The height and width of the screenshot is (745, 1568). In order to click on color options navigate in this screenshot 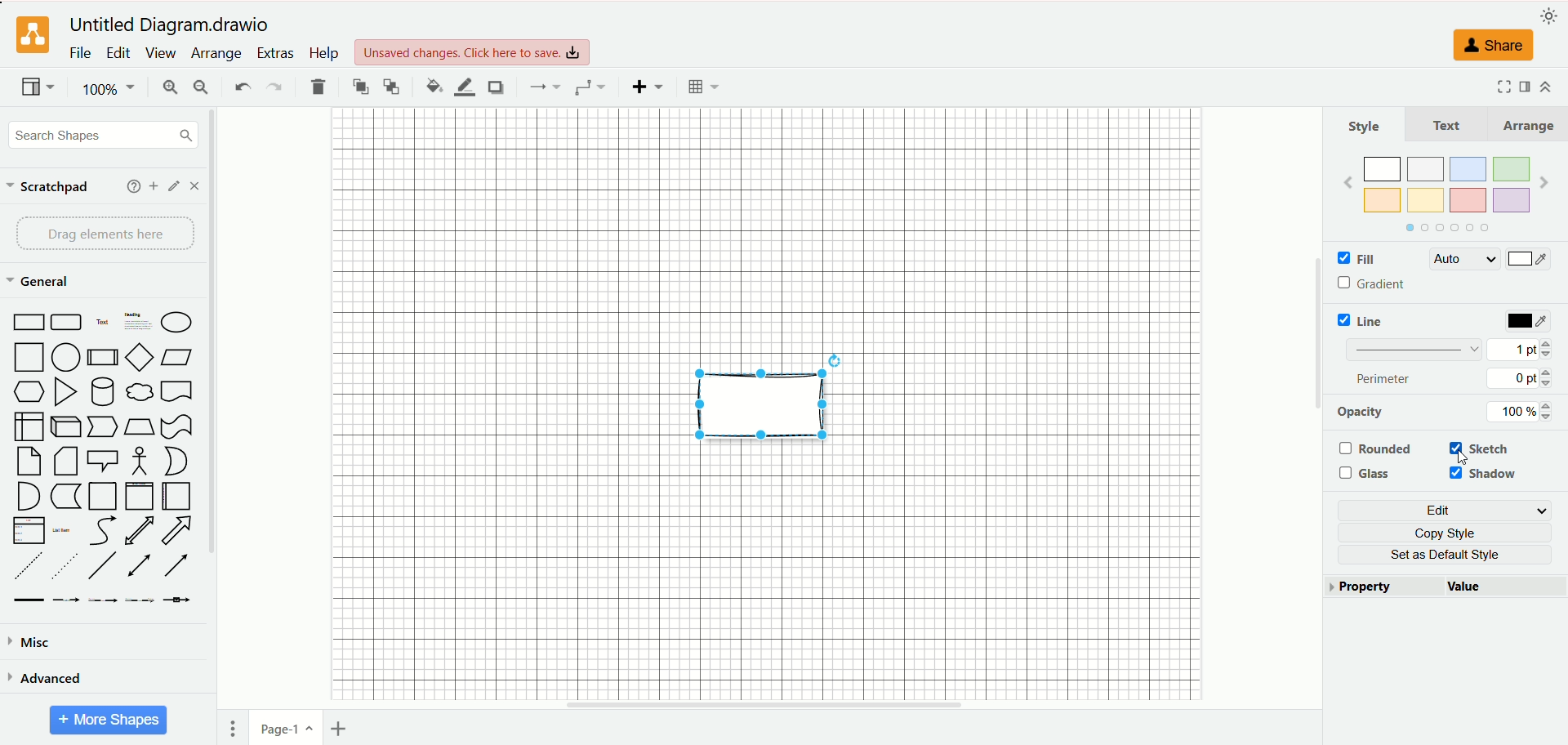, I will do `click(1444, 228)`.